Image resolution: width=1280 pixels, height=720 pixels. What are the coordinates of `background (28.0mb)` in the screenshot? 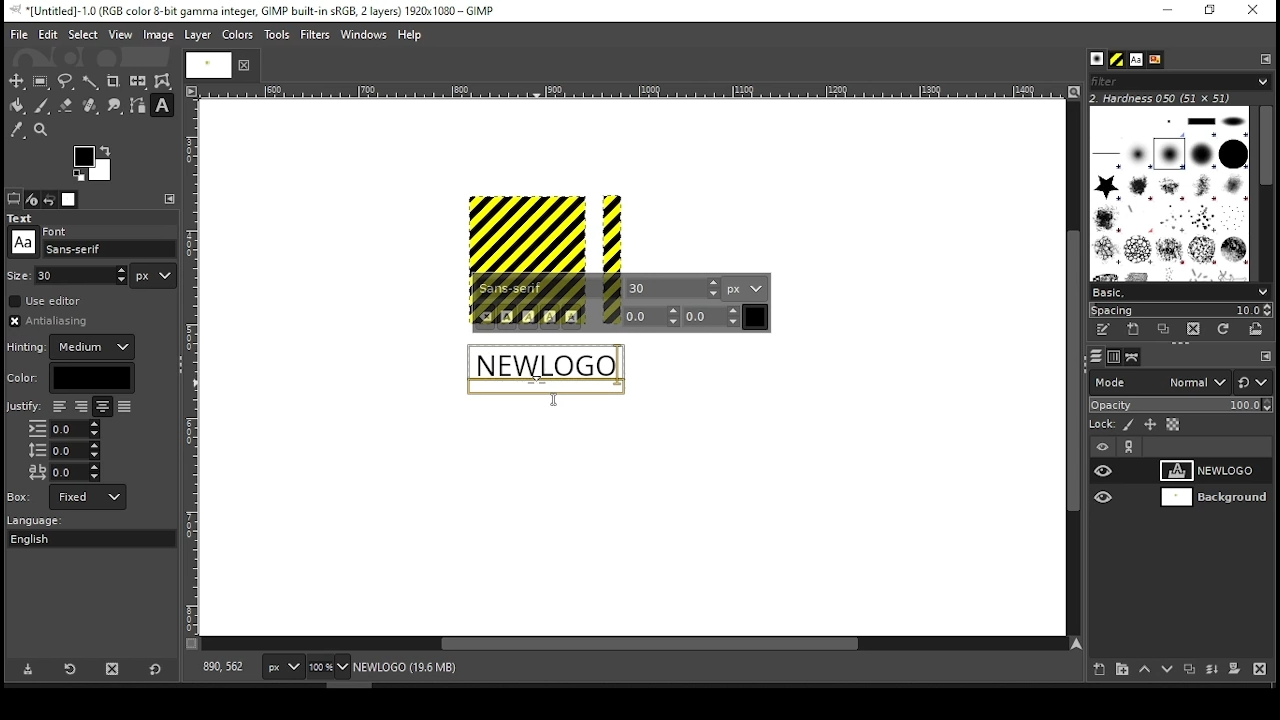 It's located at (413, 668).